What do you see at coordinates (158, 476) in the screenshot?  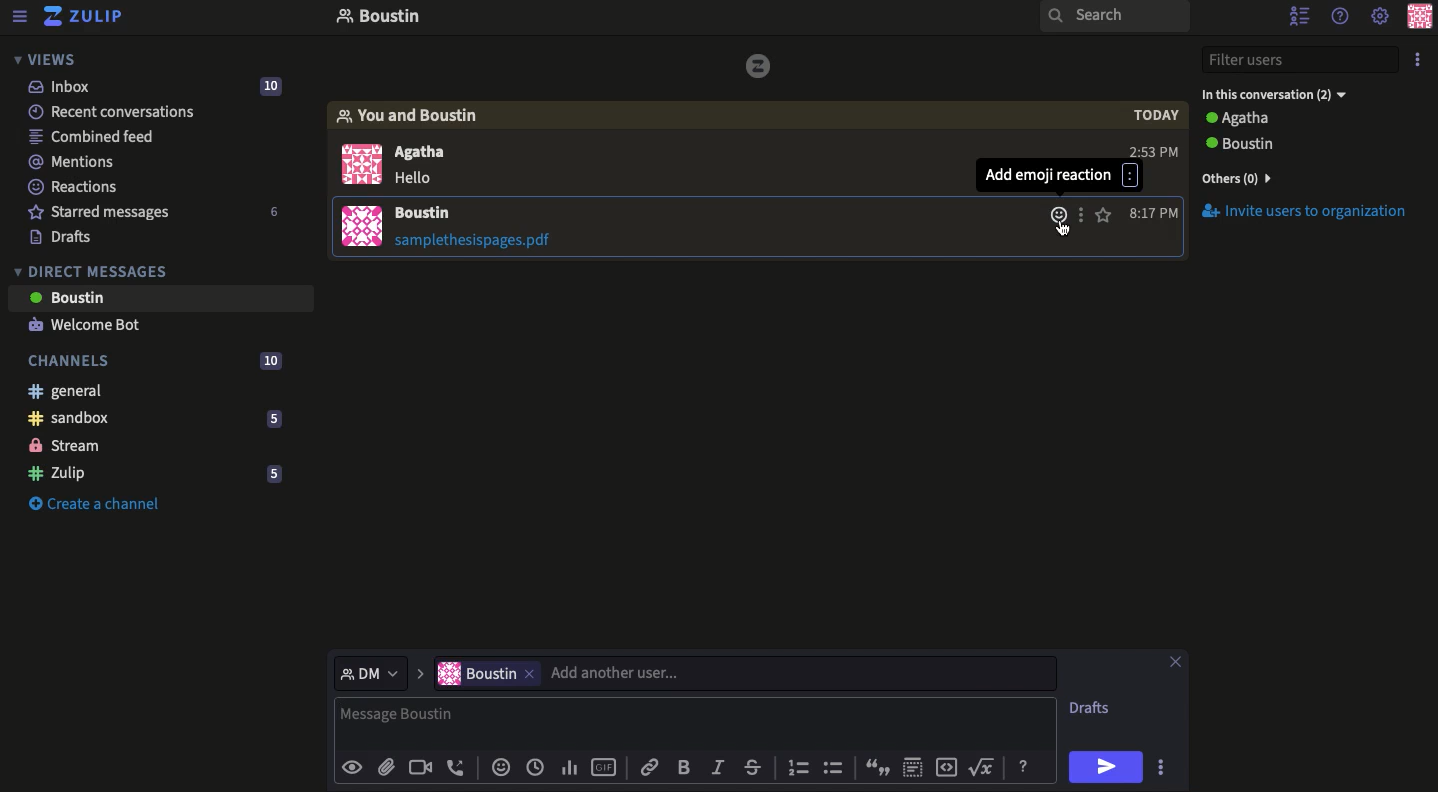 I see `Zulip` at bounding box center [158, 476].